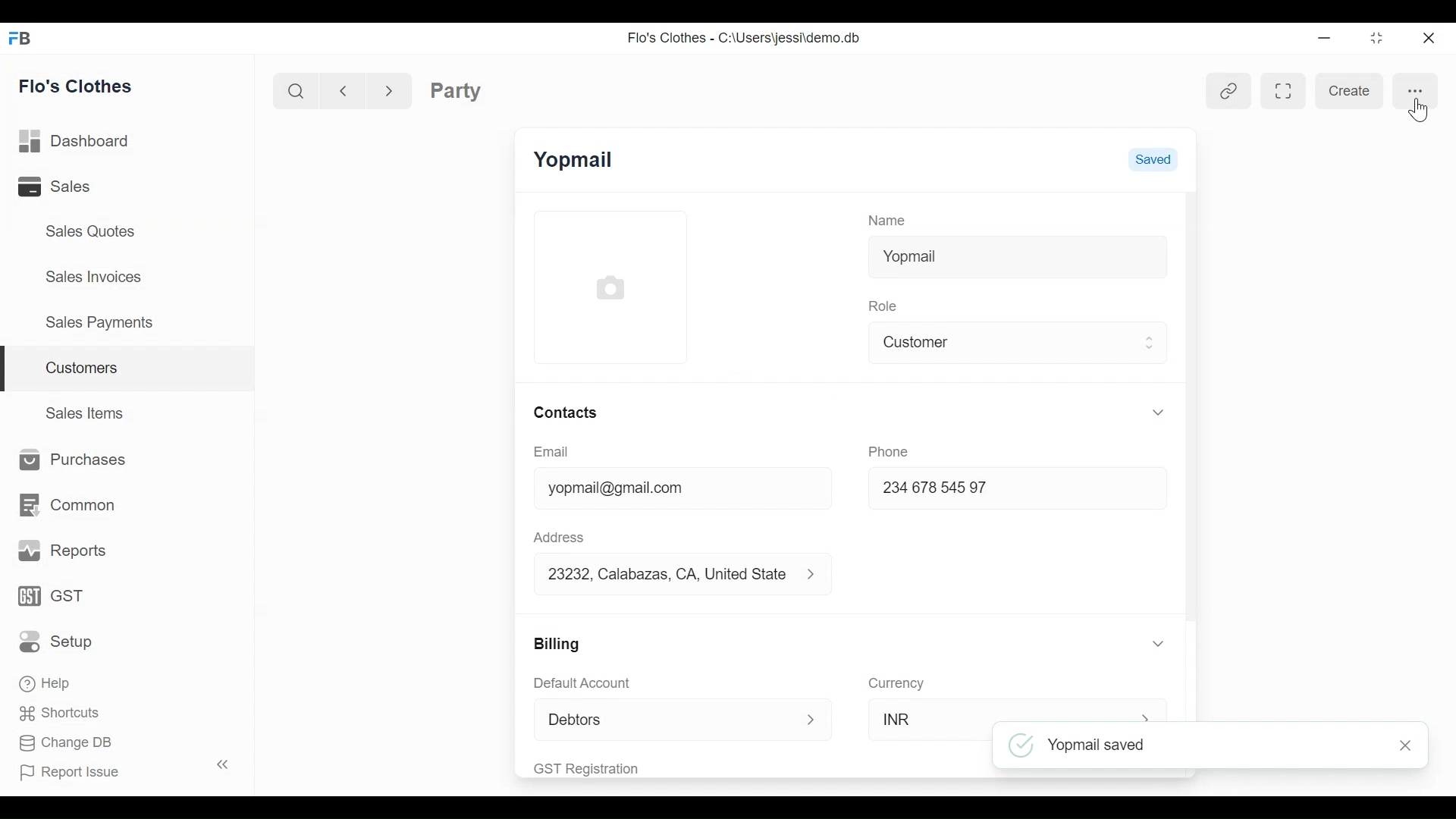 The width and height of the screenshot is (1456, 819). Describe the element at coordinates (79, 142) in the screenshot. I see `Dashboard` at that location.